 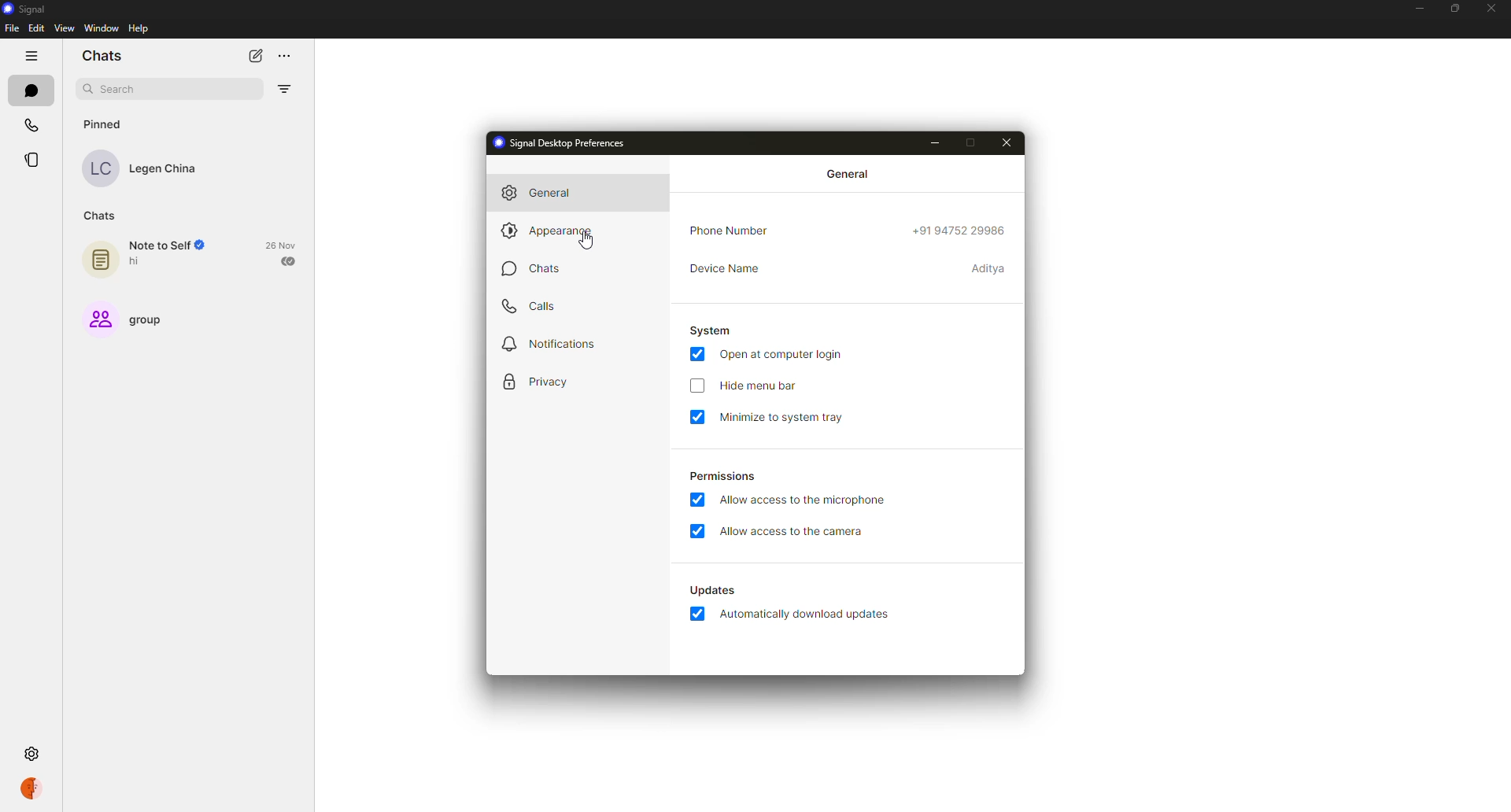 I want to click on general, so click(x=848, y=173).